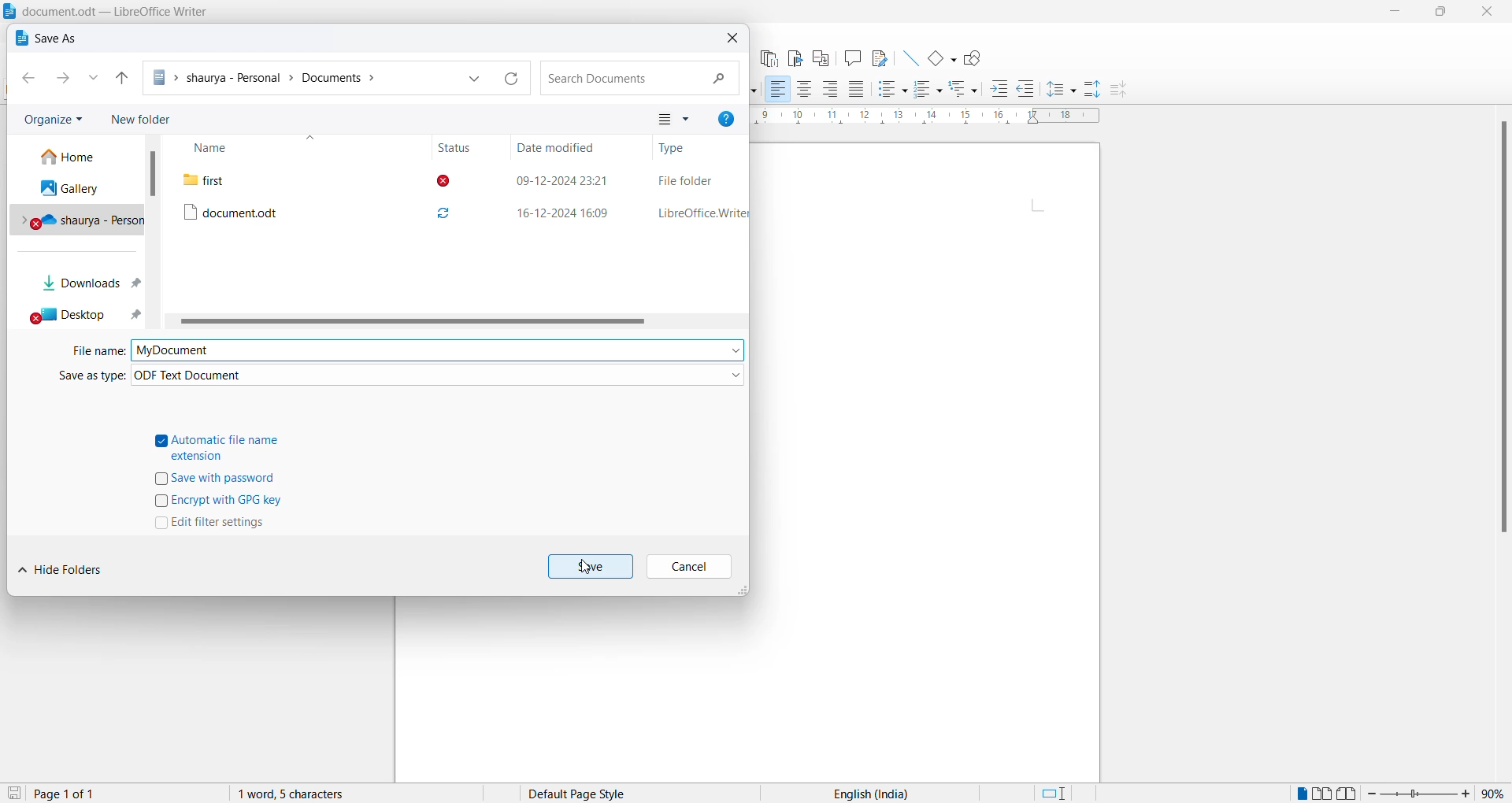 This screenshot has width=1512, height=803. I want to click on page 1 of 1, so click(65, 794).